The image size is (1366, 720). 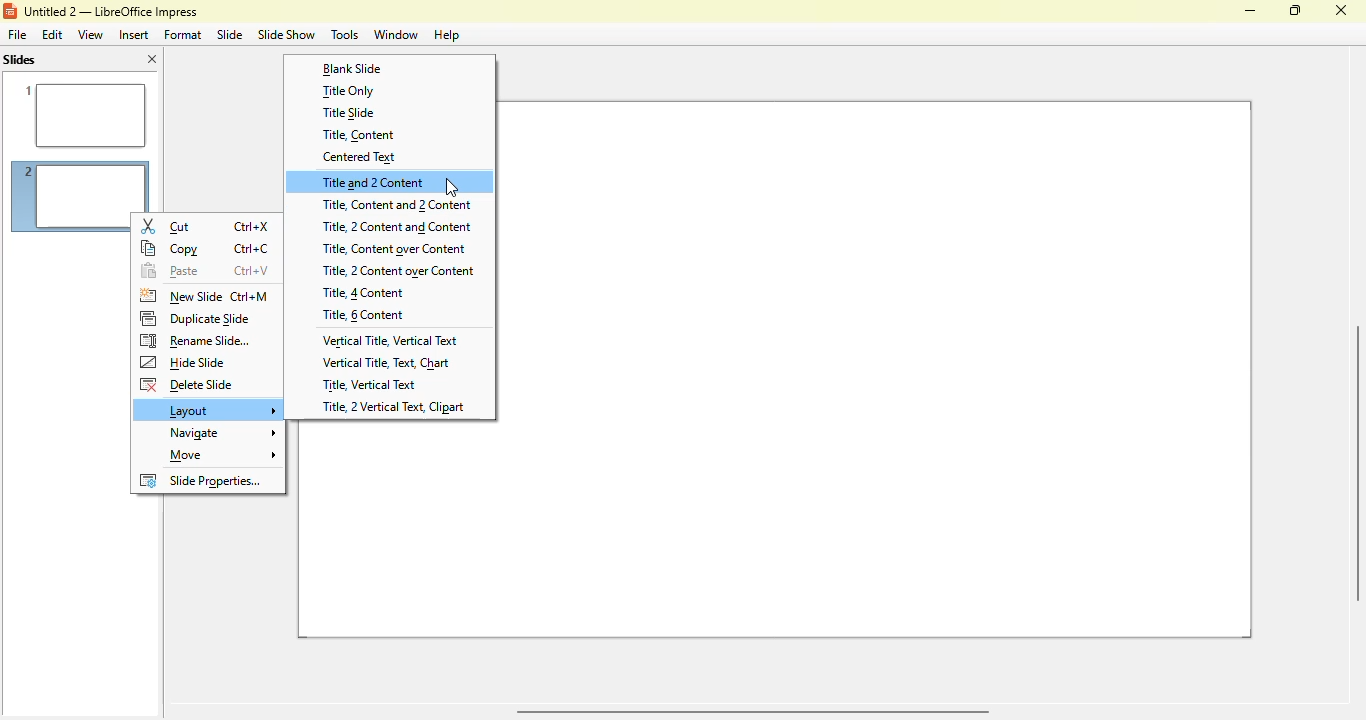 I want to click on slide 1, so click(x=79, y=114).